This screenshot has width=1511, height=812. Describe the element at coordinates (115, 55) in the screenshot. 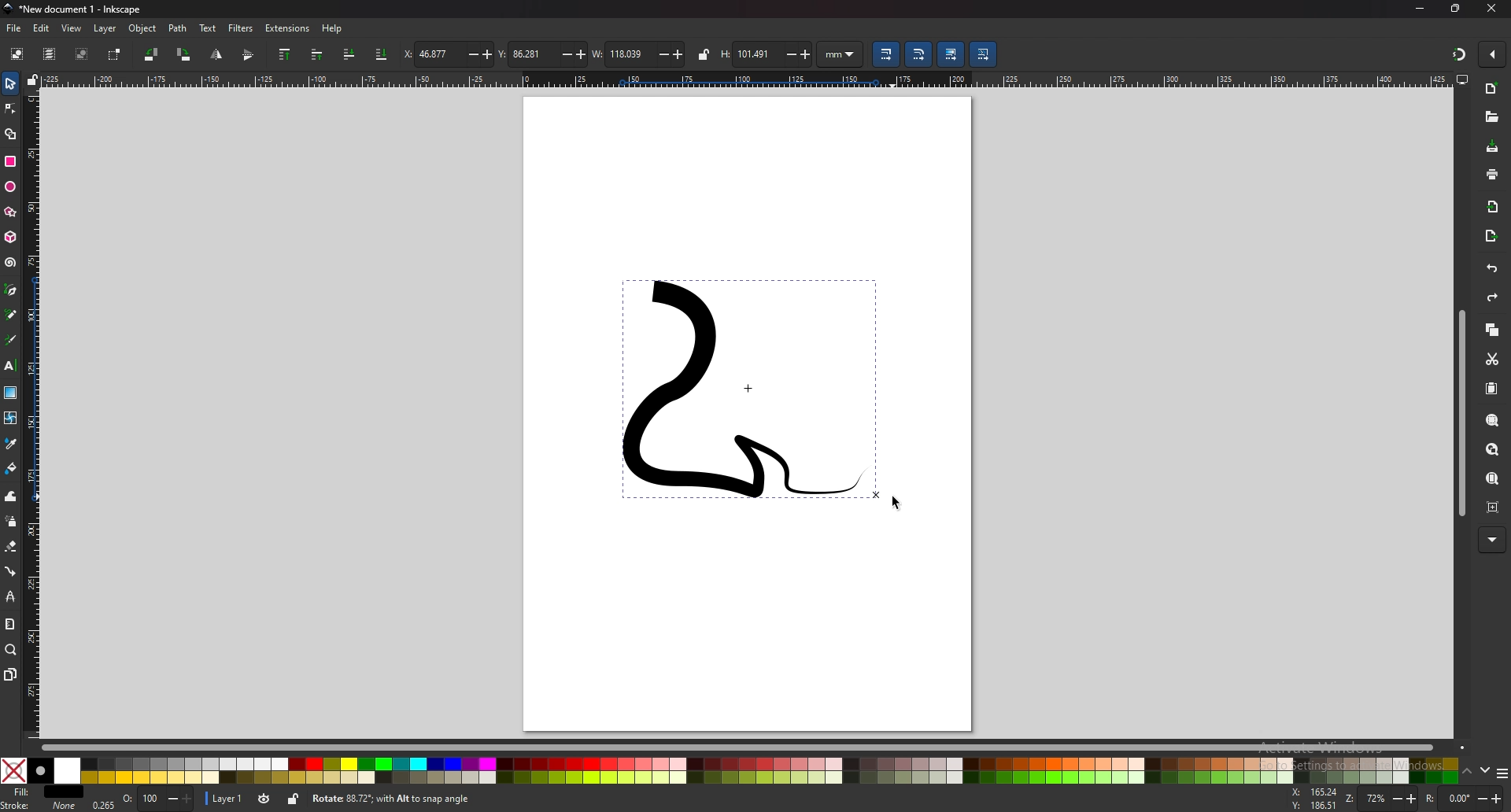

I see `toggle selection box` at that location.